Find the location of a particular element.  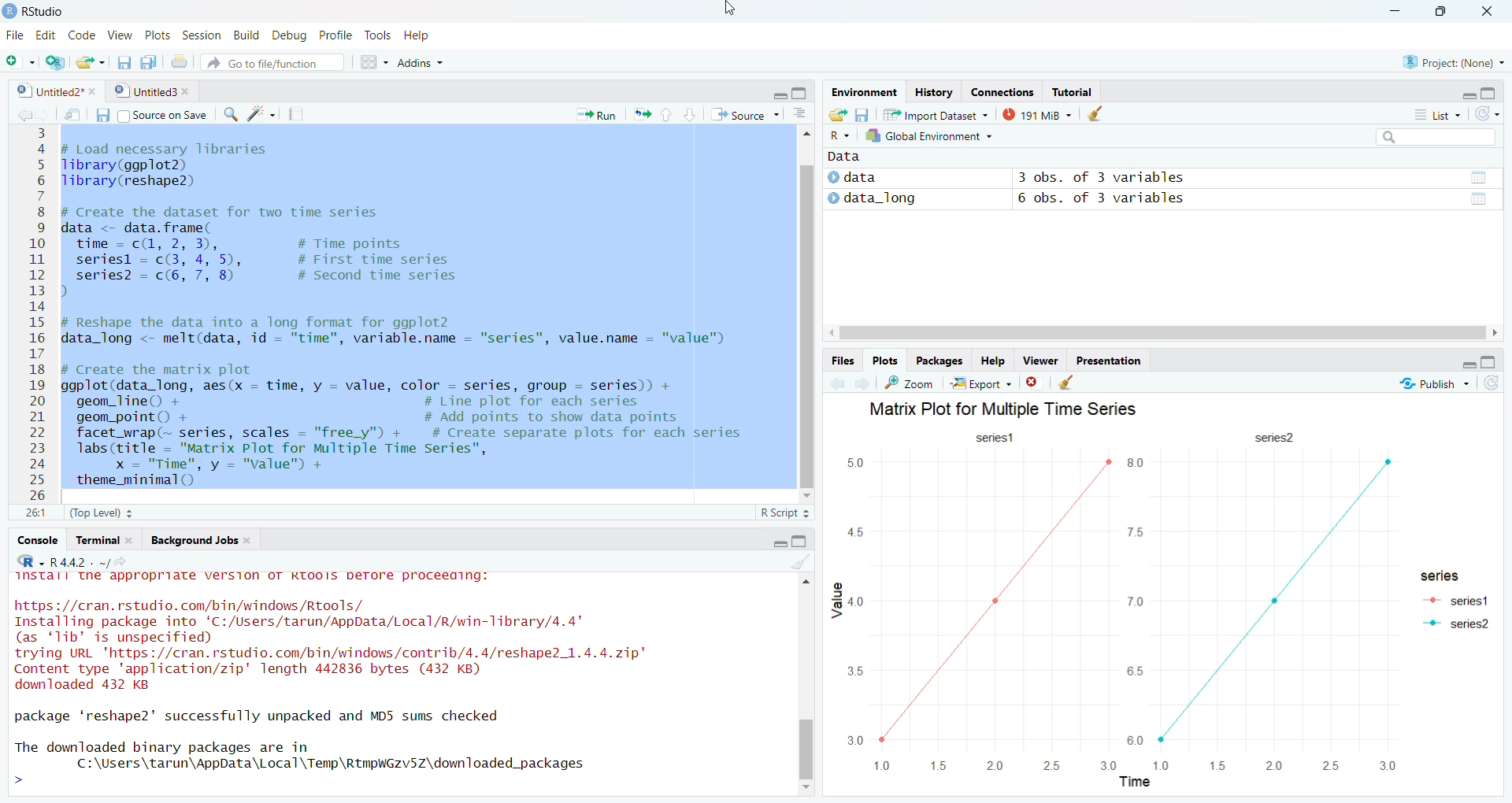

Untitled3 is located at coordinates (144, 92).